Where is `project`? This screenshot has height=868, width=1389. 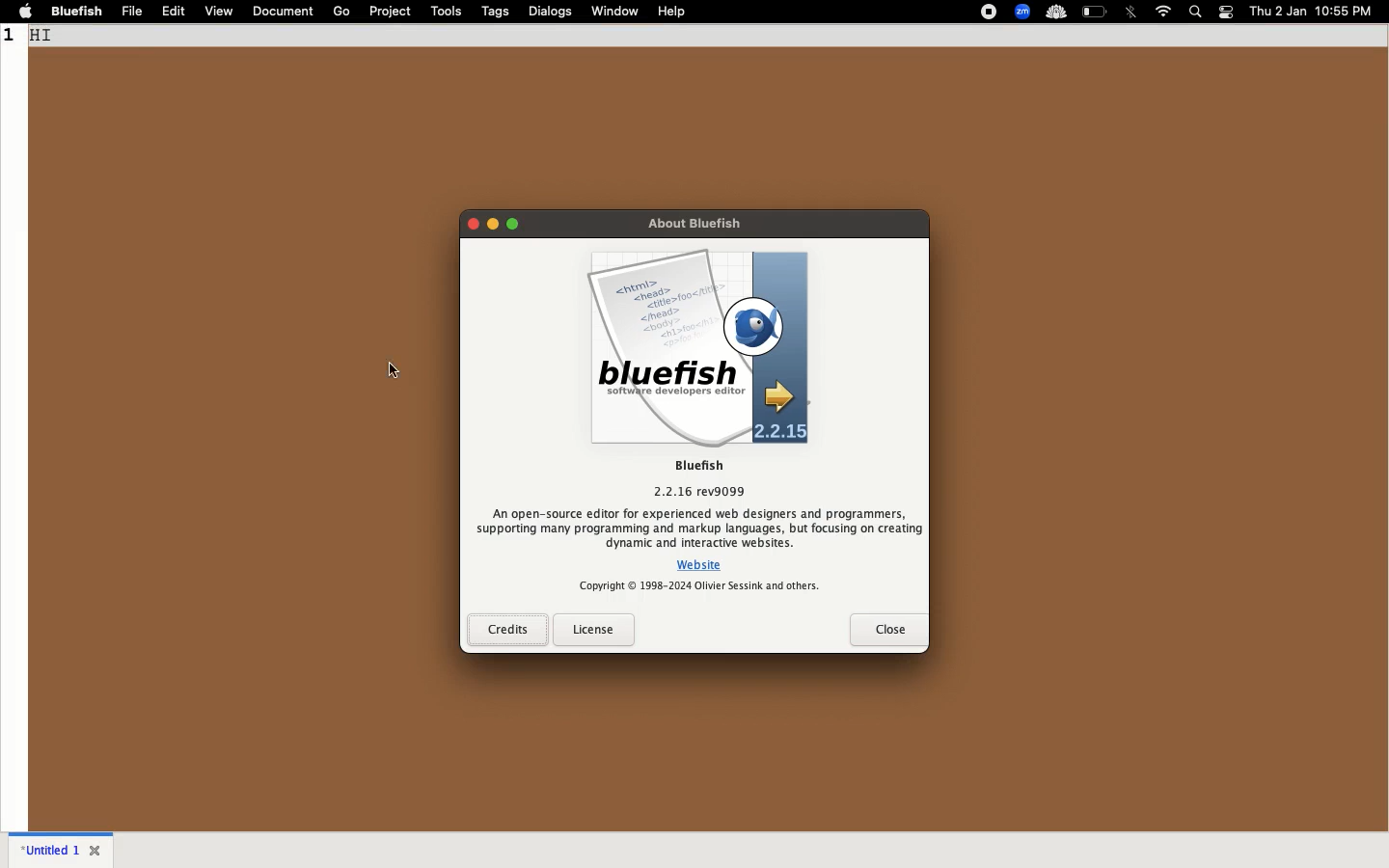 project is located at coordinates (392, 11).